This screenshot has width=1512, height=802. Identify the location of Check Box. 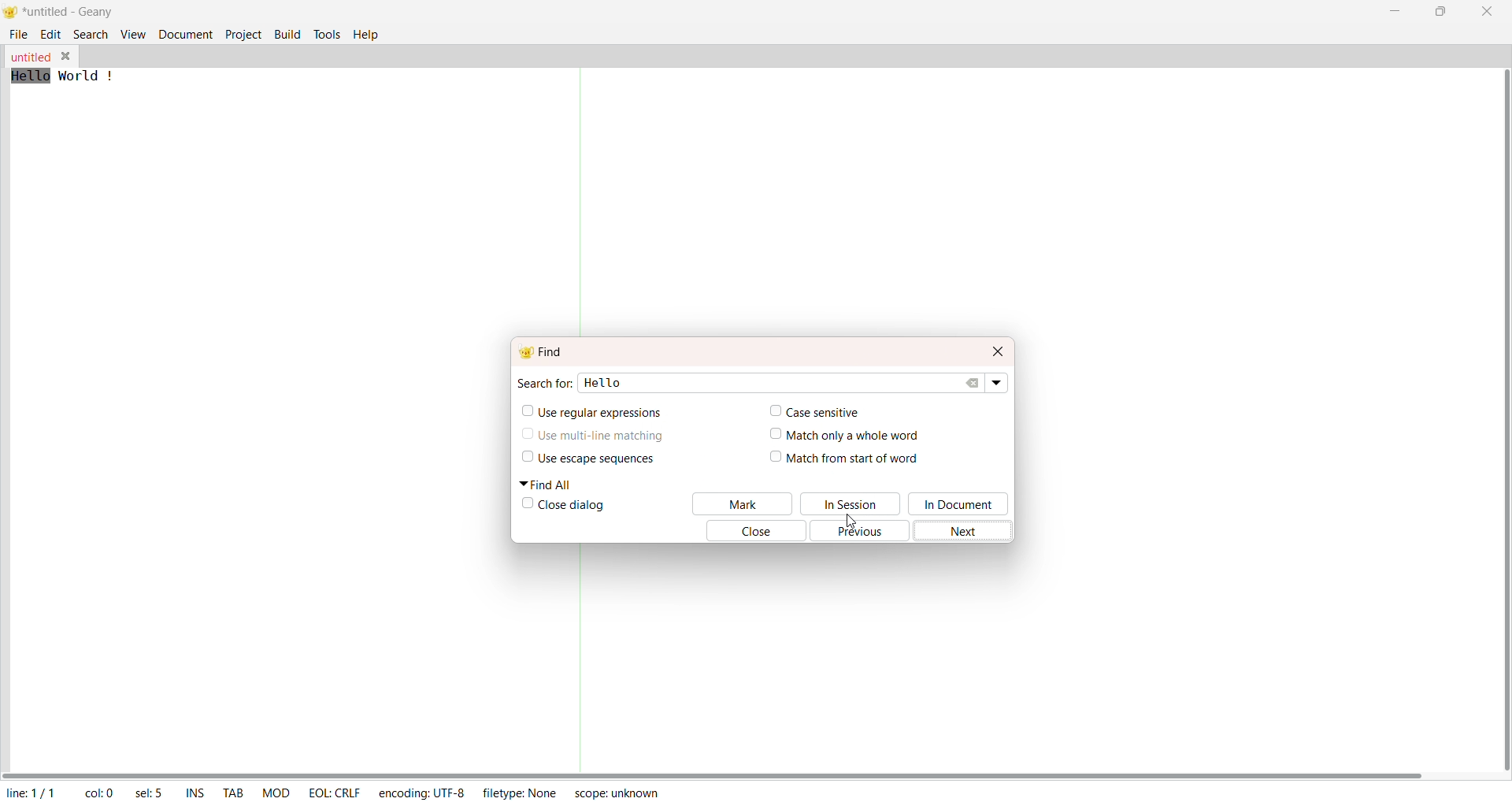
(524, 436).